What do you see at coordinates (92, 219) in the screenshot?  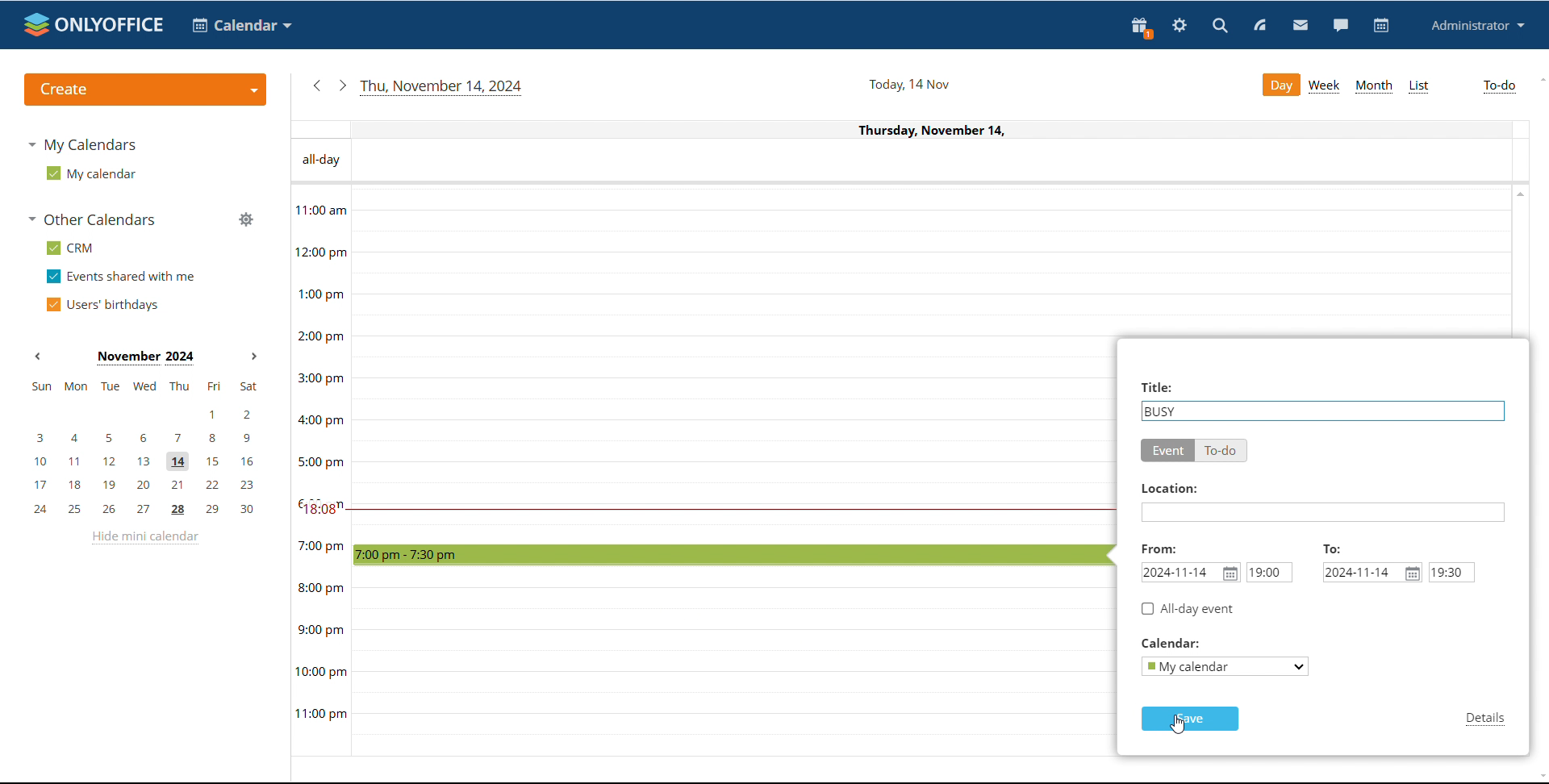 I see `other calendars` at bounding box center [92, 219].